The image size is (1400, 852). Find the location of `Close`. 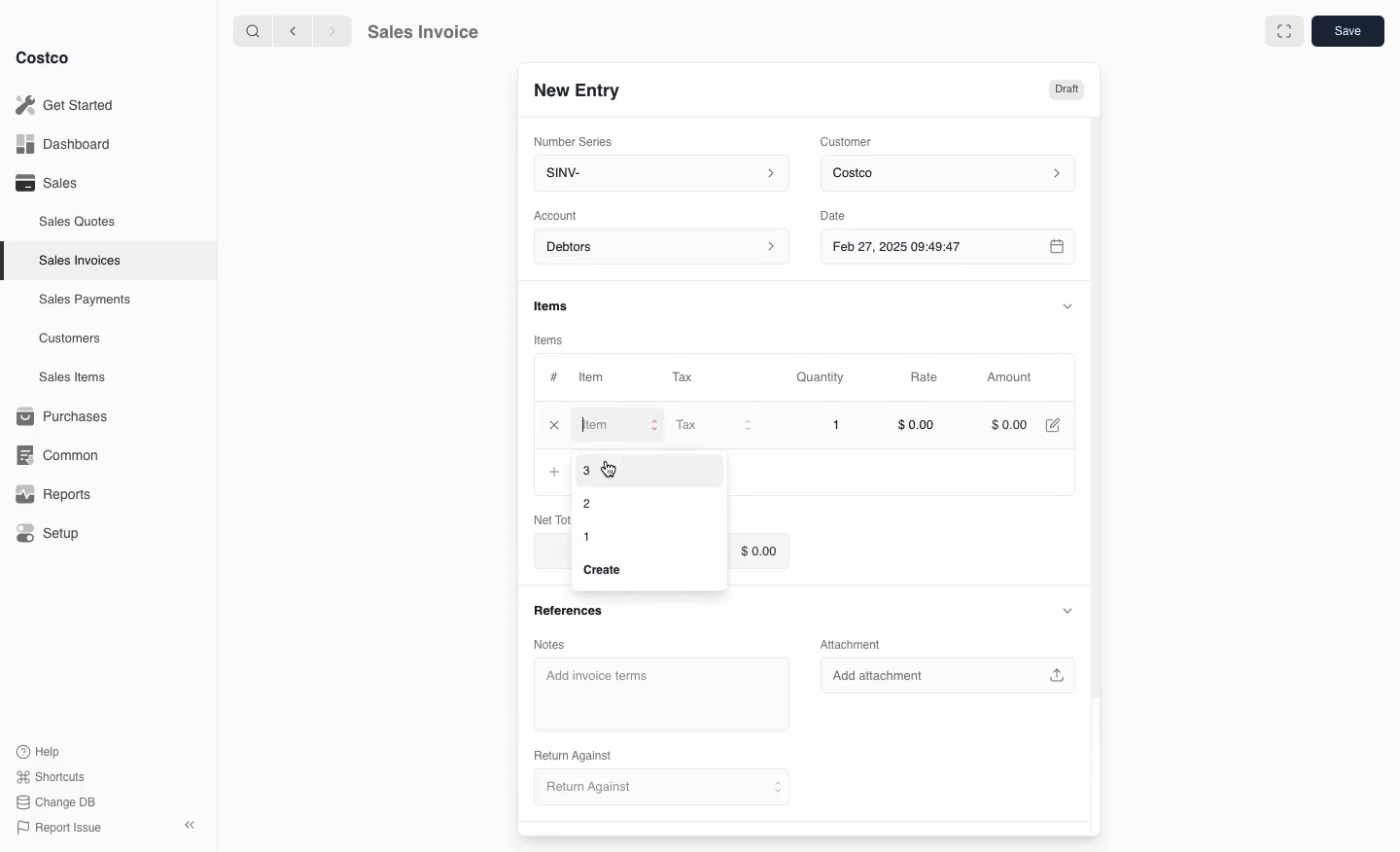

Close is located at coordinates (554, 424).